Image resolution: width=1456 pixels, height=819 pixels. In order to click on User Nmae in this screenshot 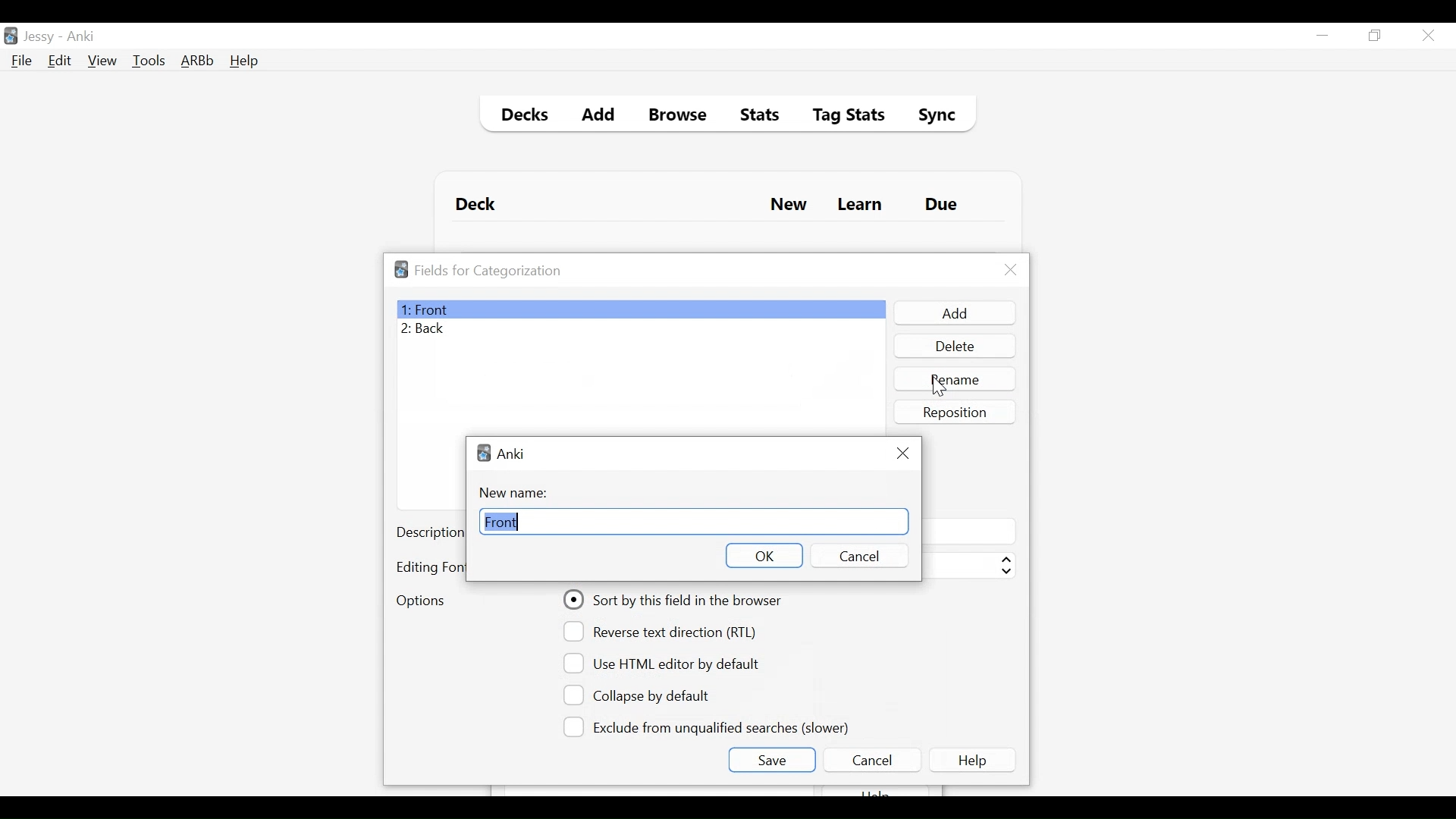, I will do `click(42, 37)`.